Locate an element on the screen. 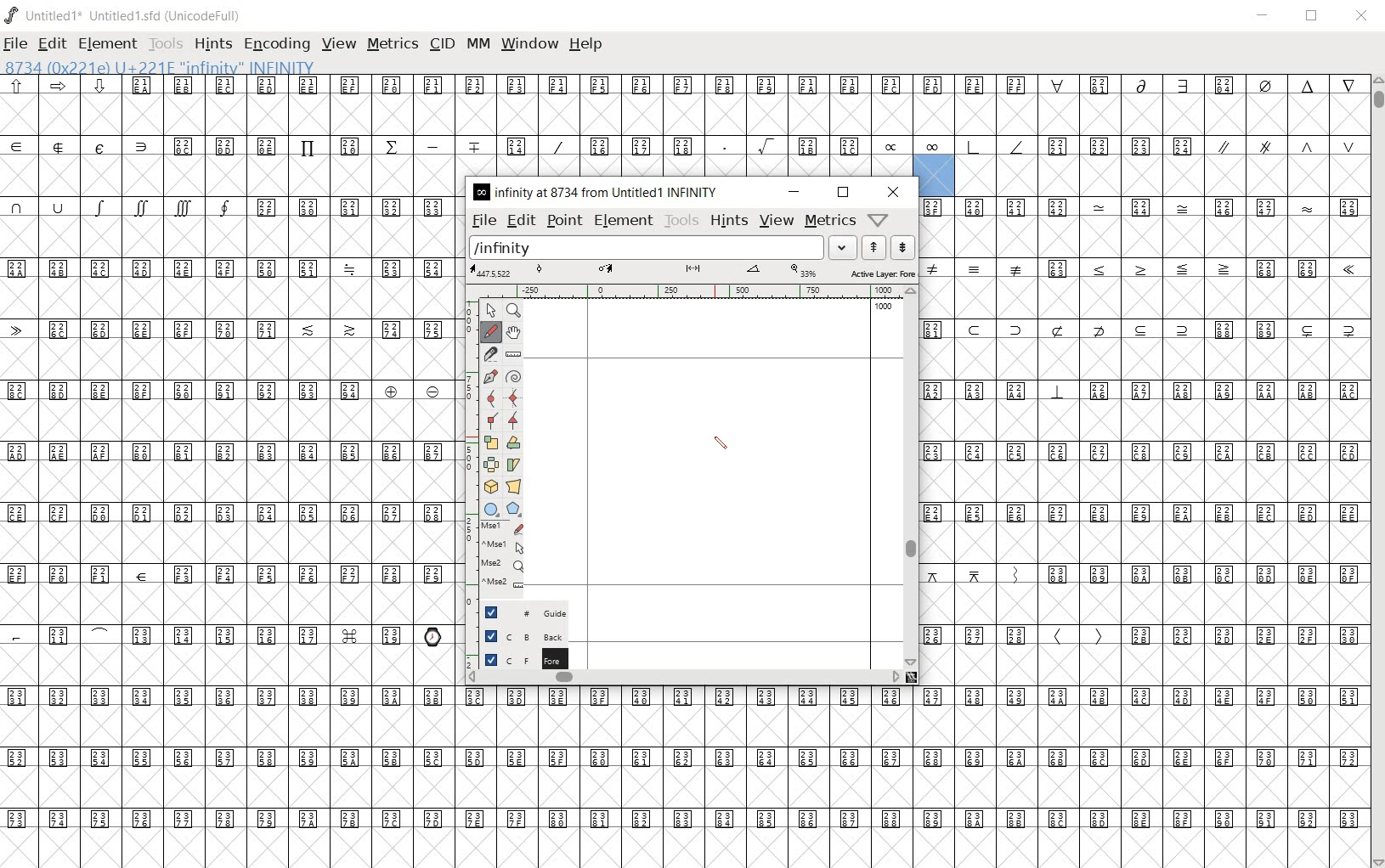 This screenshot has height=868, width=1385. selected glyph slot is located at coordinates (935, 175).